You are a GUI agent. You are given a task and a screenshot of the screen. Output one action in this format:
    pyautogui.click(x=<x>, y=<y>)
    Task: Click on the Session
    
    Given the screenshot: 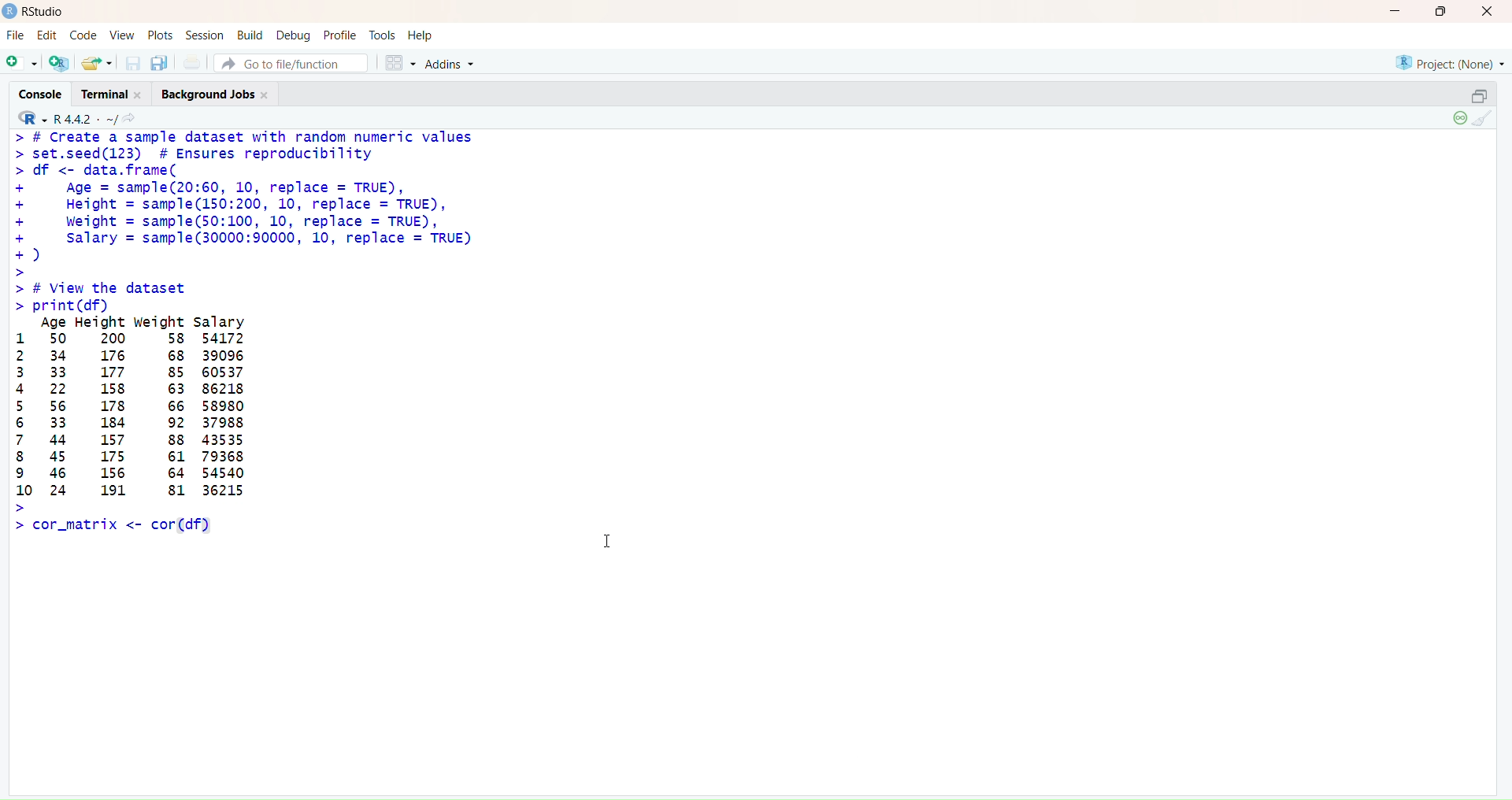 What is the action you would take?
    pyautogui.click(x=206, y=35)
    